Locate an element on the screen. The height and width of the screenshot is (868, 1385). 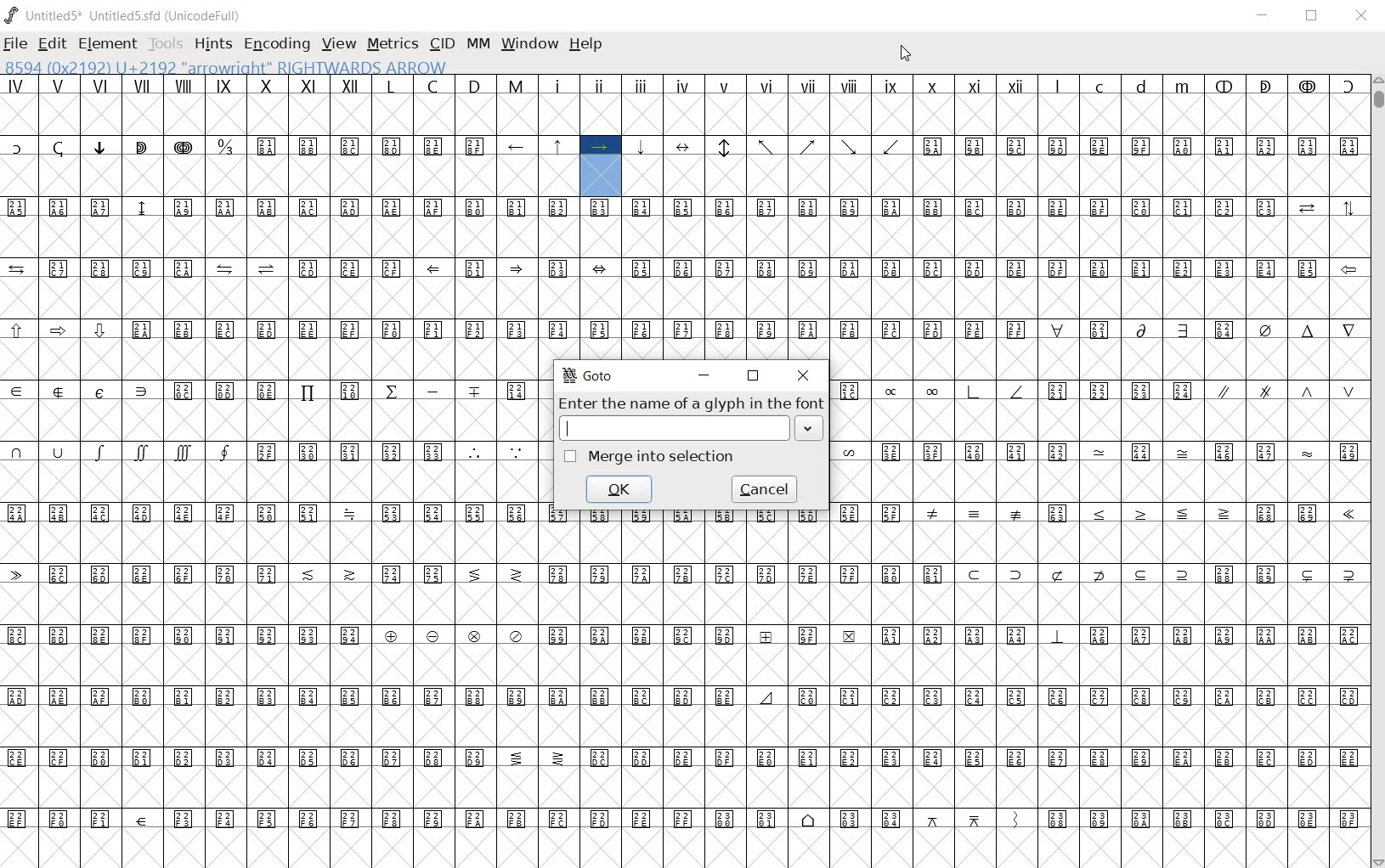
Glyph characters is located at coordinates (953, 716).